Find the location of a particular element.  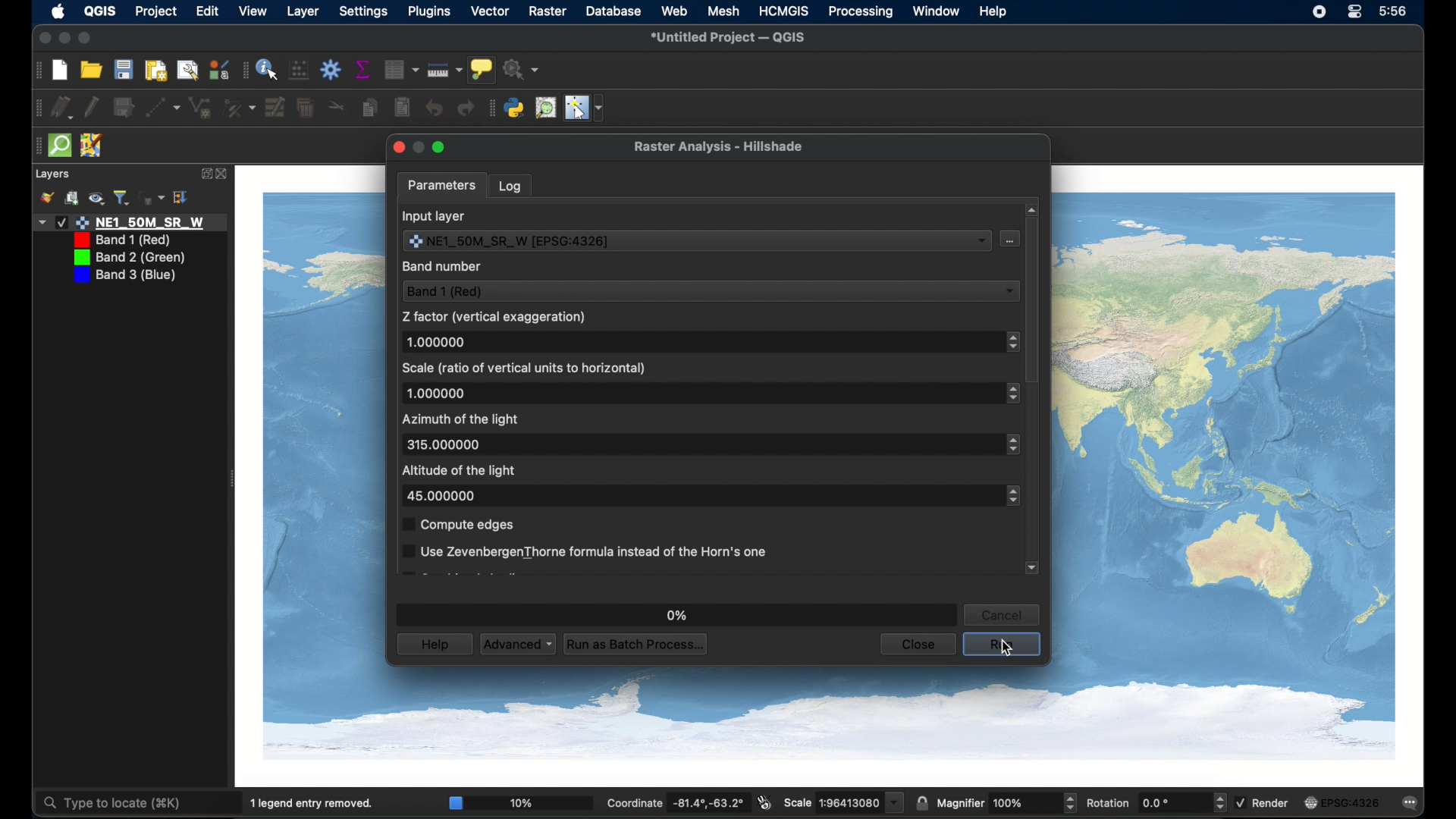

messages is located at coordinates (1412, 804).